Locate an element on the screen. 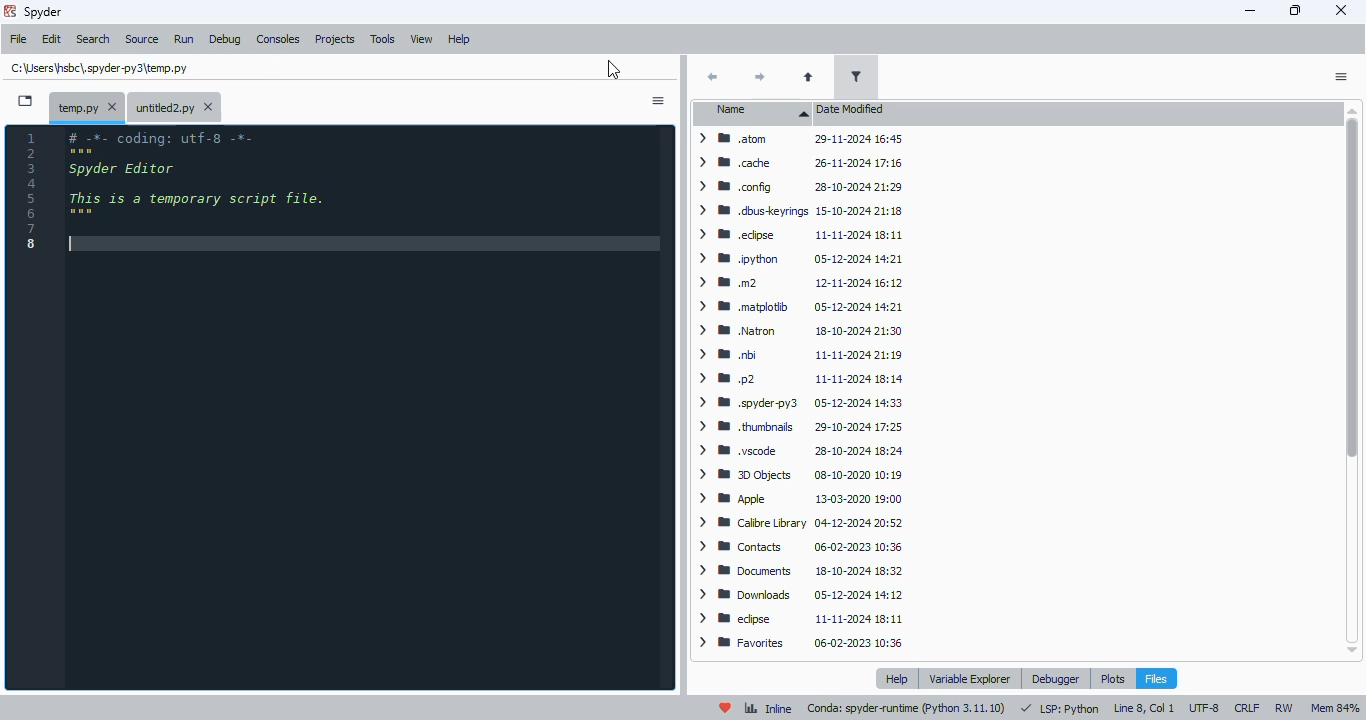  filter is located at coordinates (857, 76).